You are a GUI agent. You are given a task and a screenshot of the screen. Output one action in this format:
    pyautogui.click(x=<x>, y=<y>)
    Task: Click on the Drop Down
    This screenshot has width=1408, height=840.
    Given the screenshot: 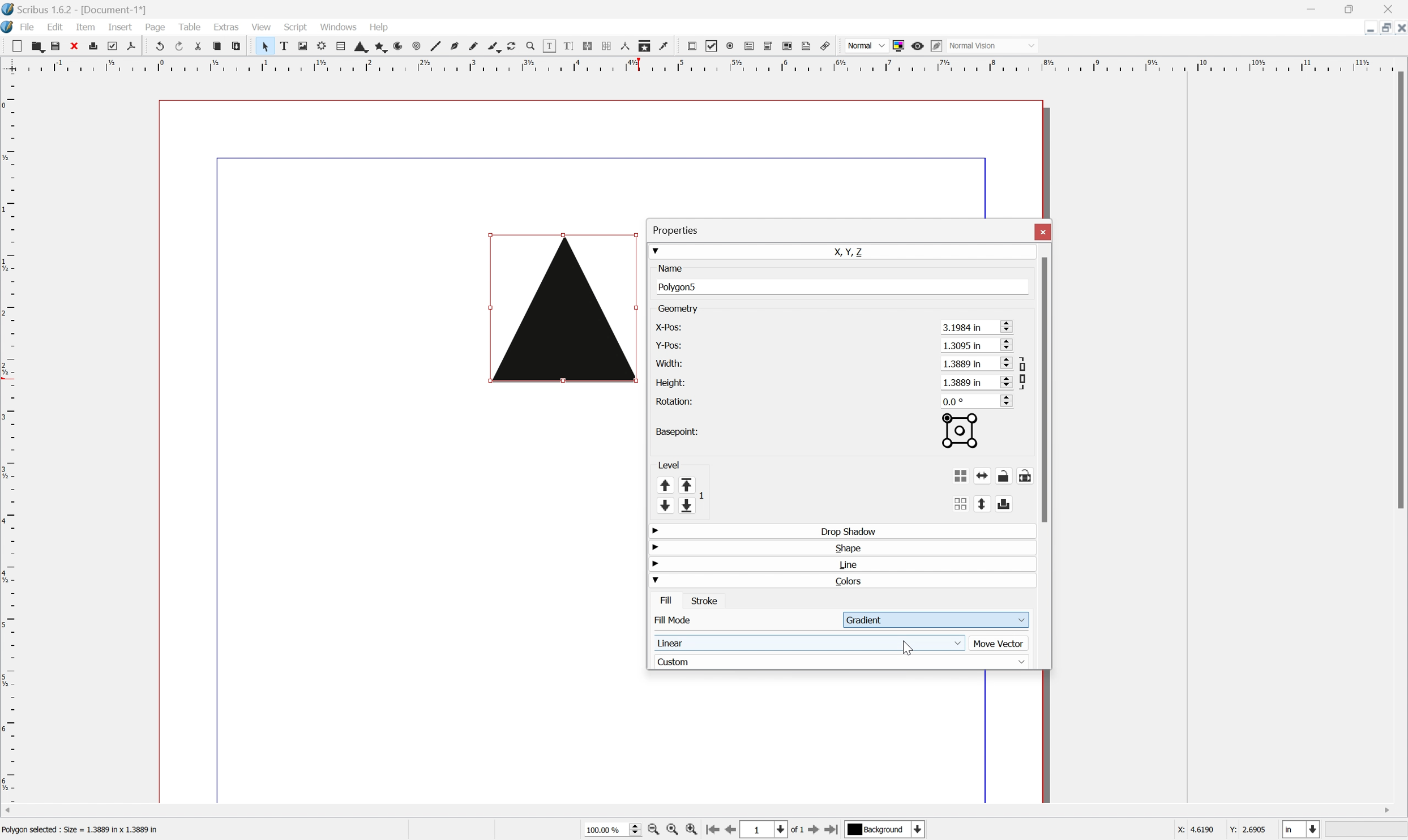 What is the action you would take?
    pyautogui.click(x=657, y=532)
    